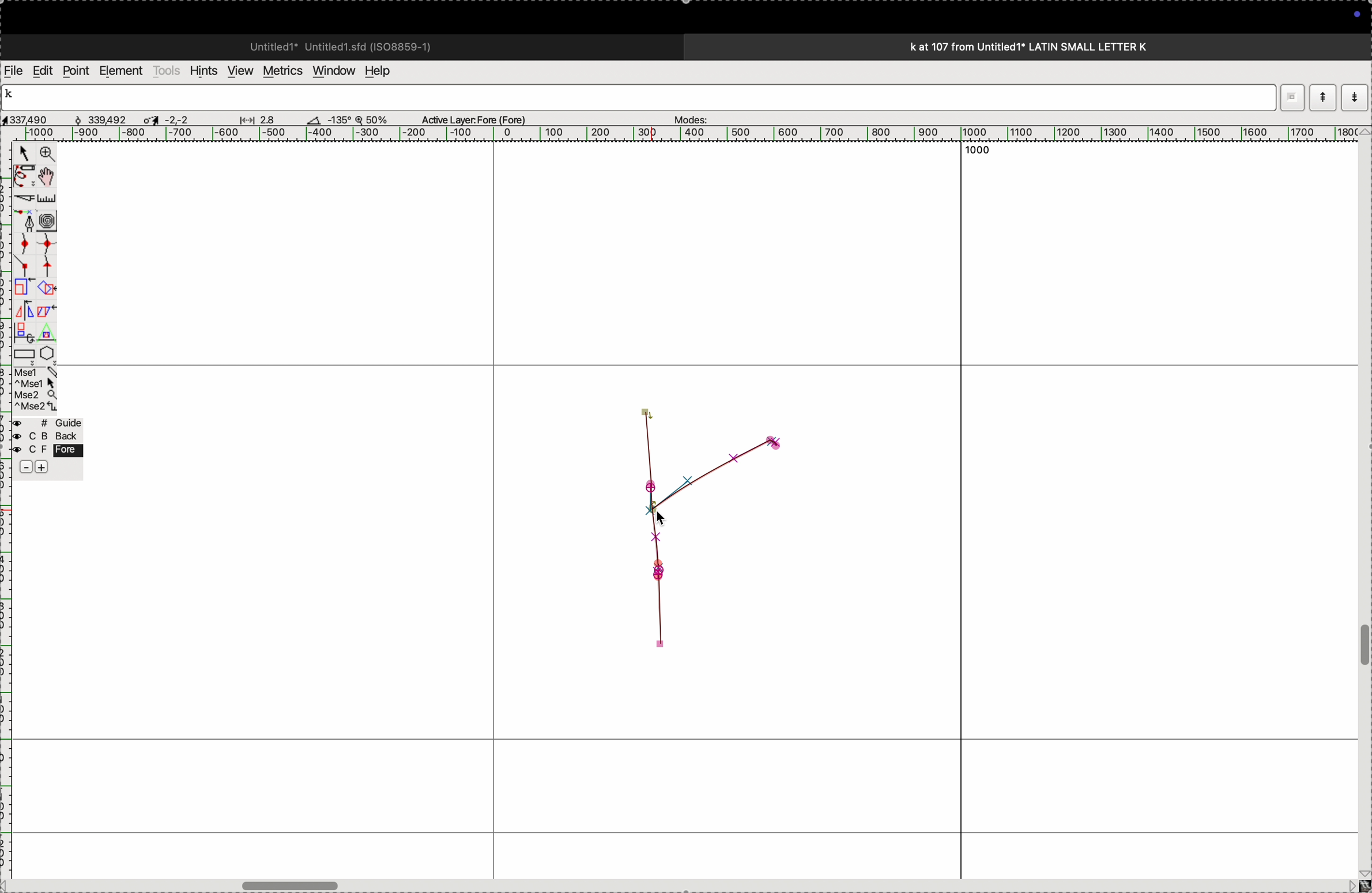 Image resolution: width=1372 pixels, height=893 pixels. I want to click on spline, so click(35, 253).